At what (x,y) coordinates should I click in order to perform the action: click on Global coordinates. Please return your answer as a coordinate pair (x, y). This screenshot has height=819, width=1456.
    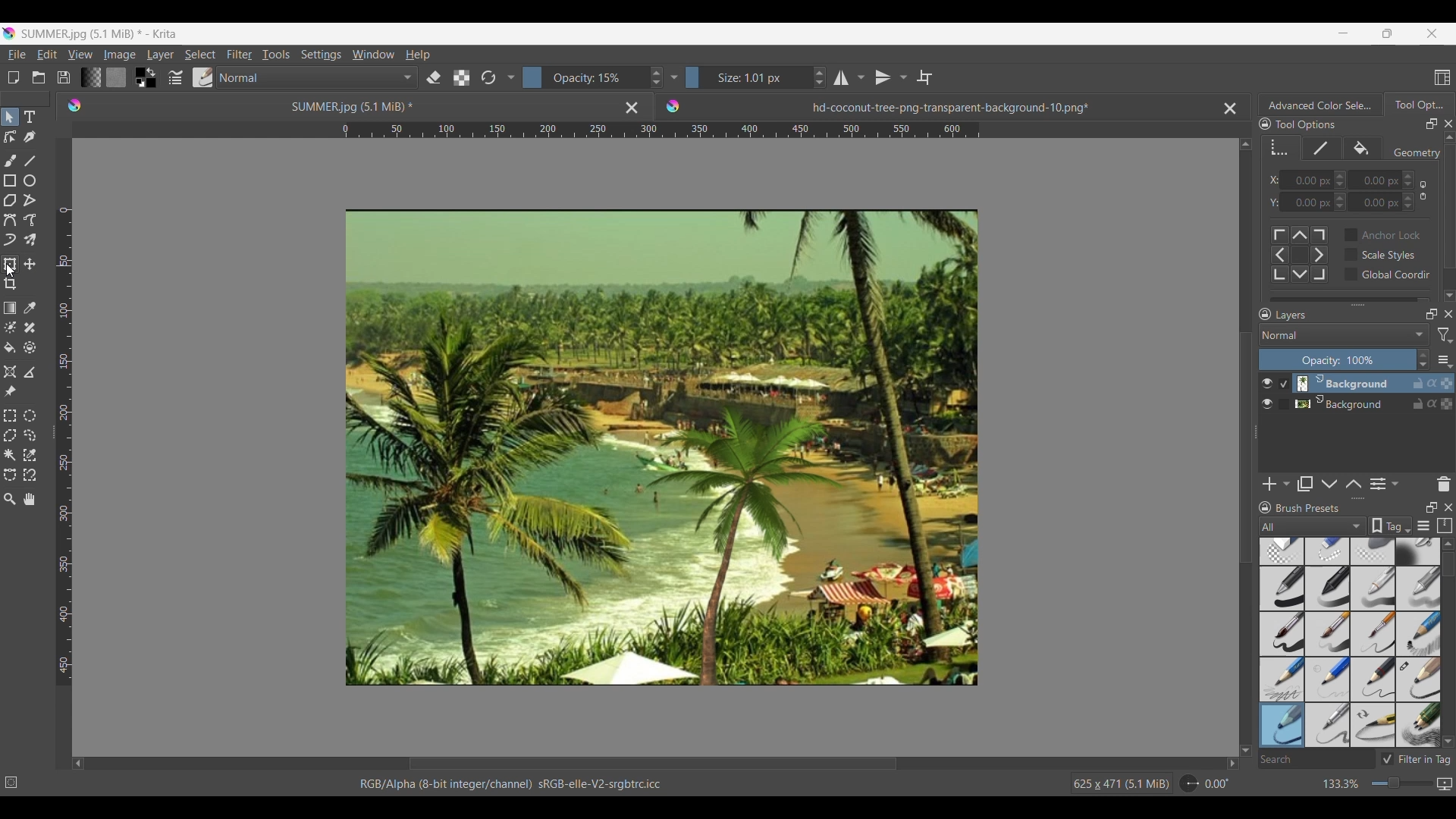
    Looking at the image, I should click on (1387, 275).